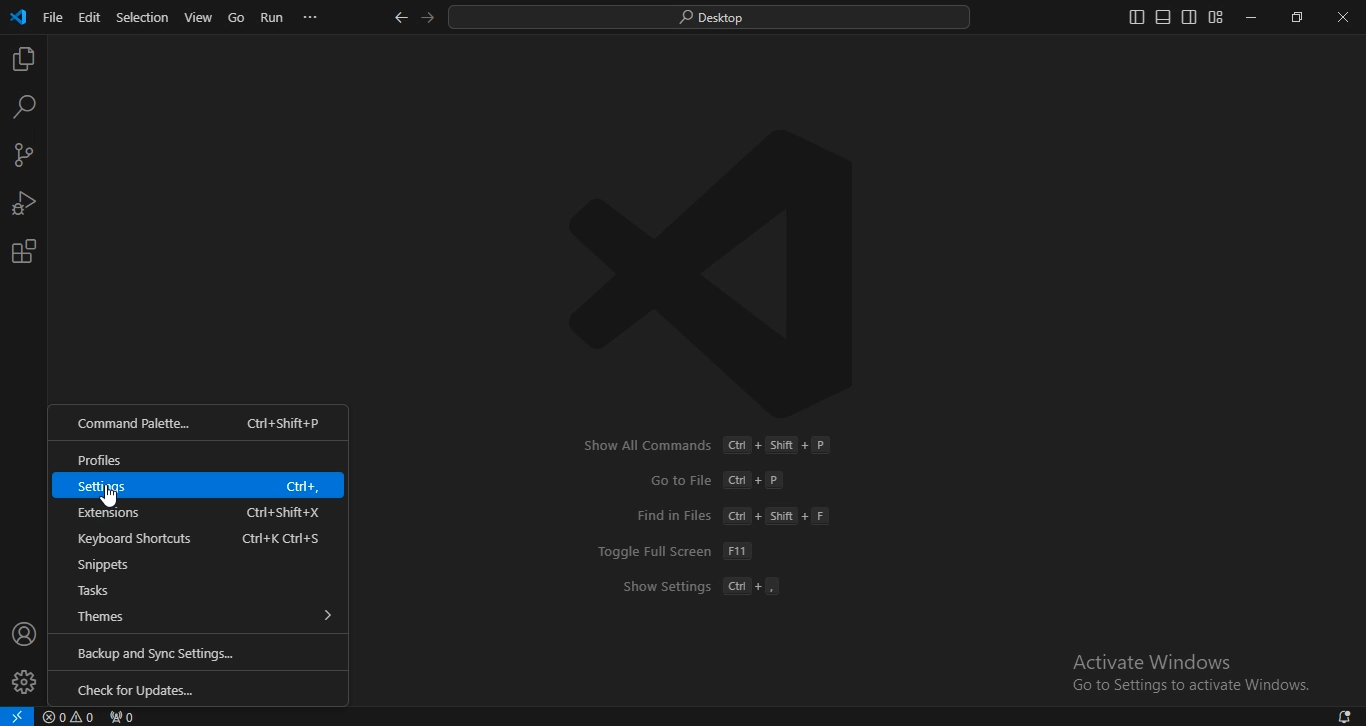  What do you see at coordinates (18, 18) in the screenshot?
I see `vscode icon` at bounding box center [18, 18].